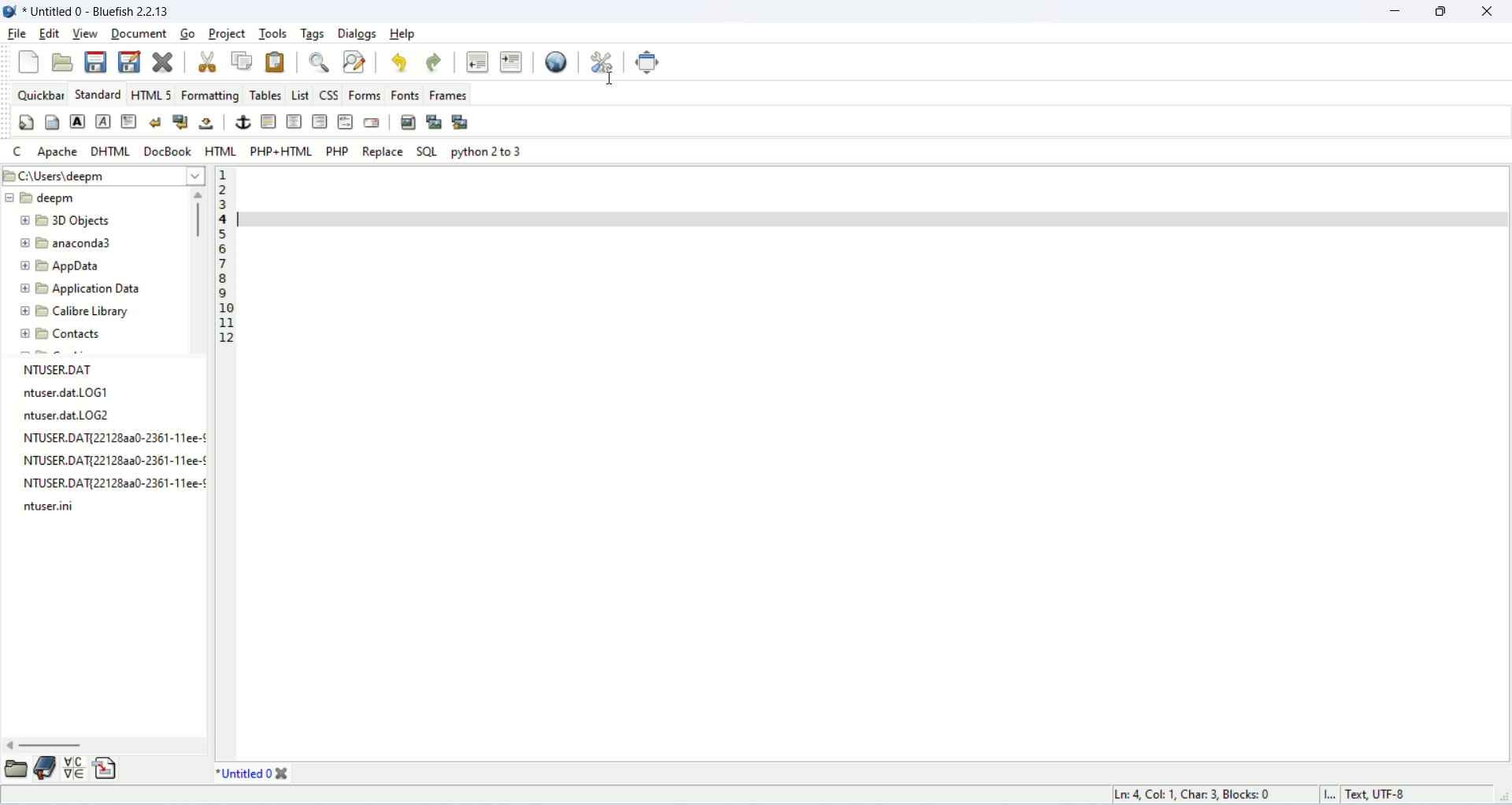 The width and height of the screenshot is (1512, 805). I want to click on document, so click(139, 33).